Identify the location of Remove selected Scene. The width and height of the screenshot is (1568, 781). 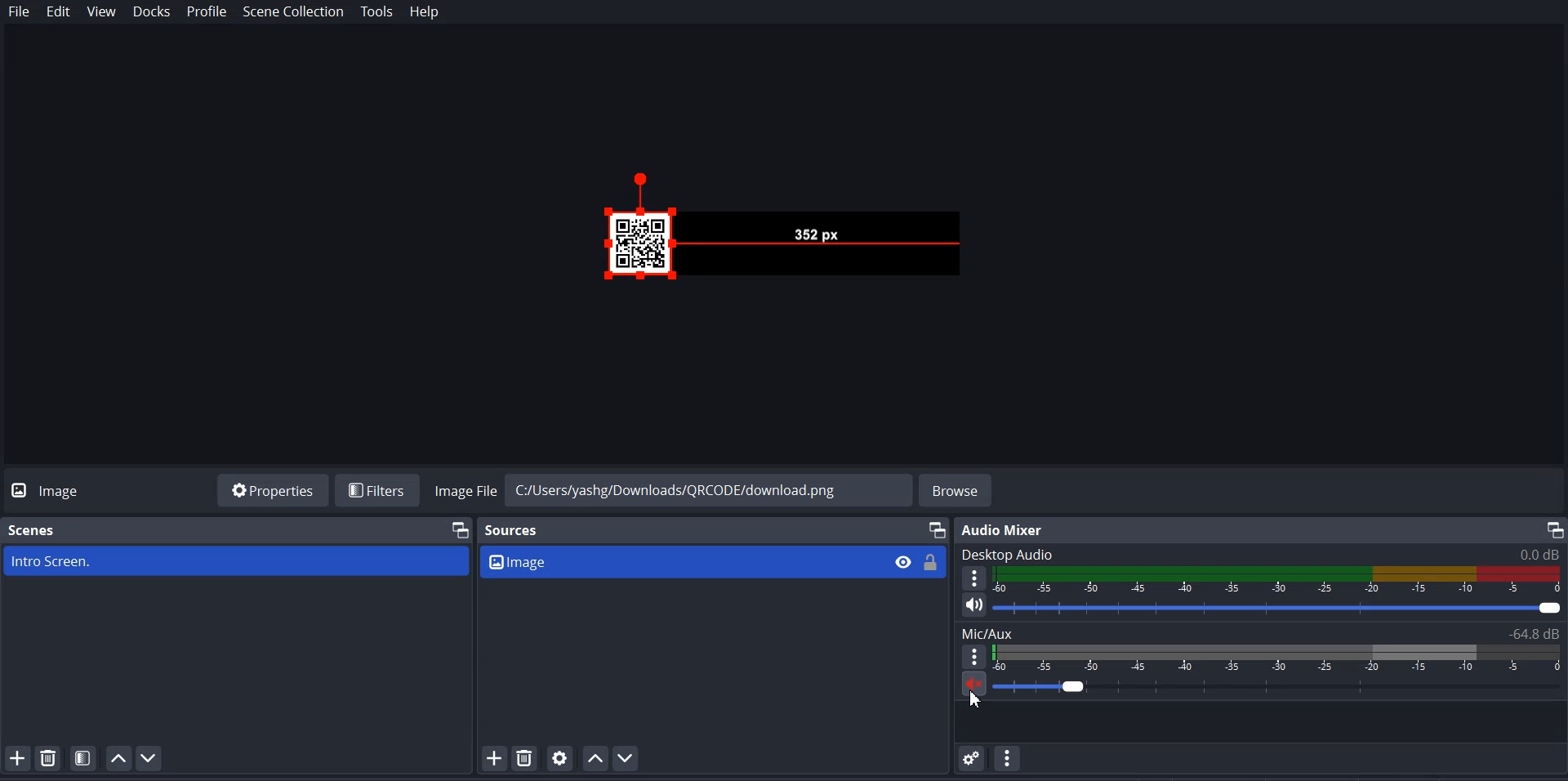
(48, 757).